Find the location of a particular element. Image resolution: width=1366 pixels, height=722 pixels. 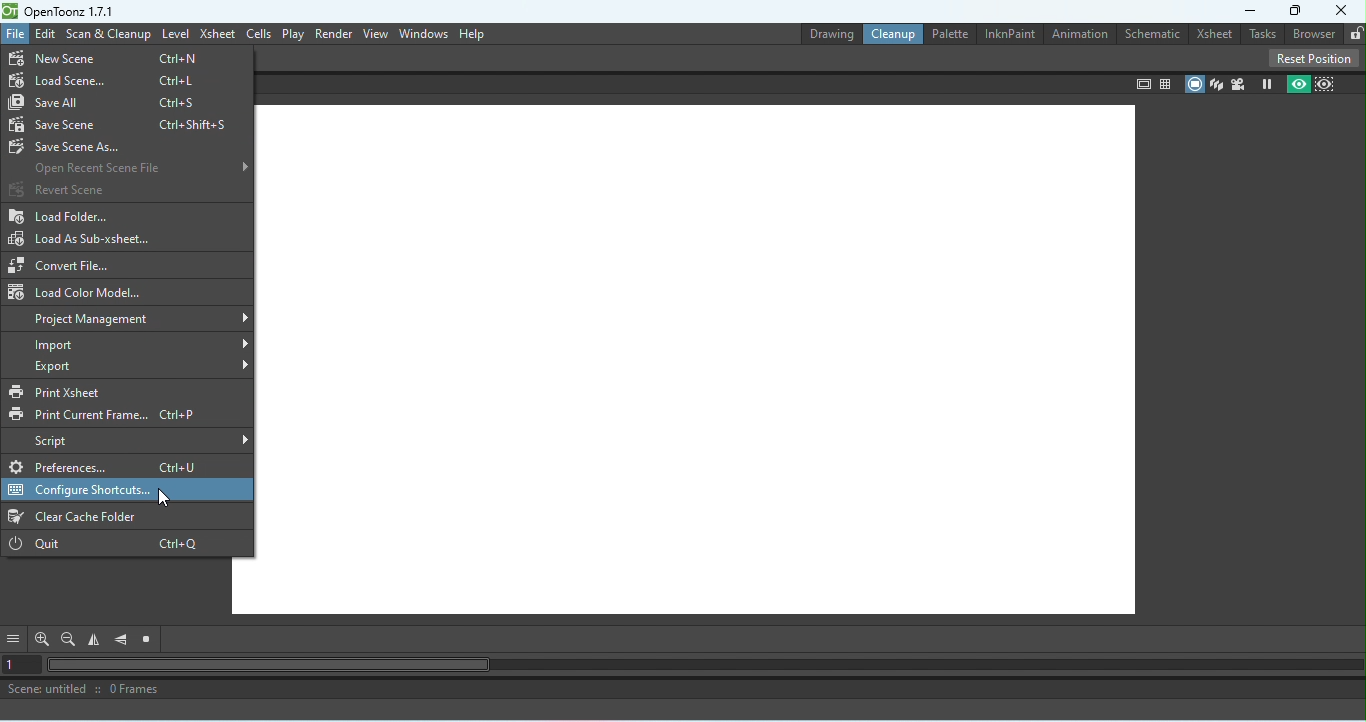

Render is located at coordinates (333, 35).